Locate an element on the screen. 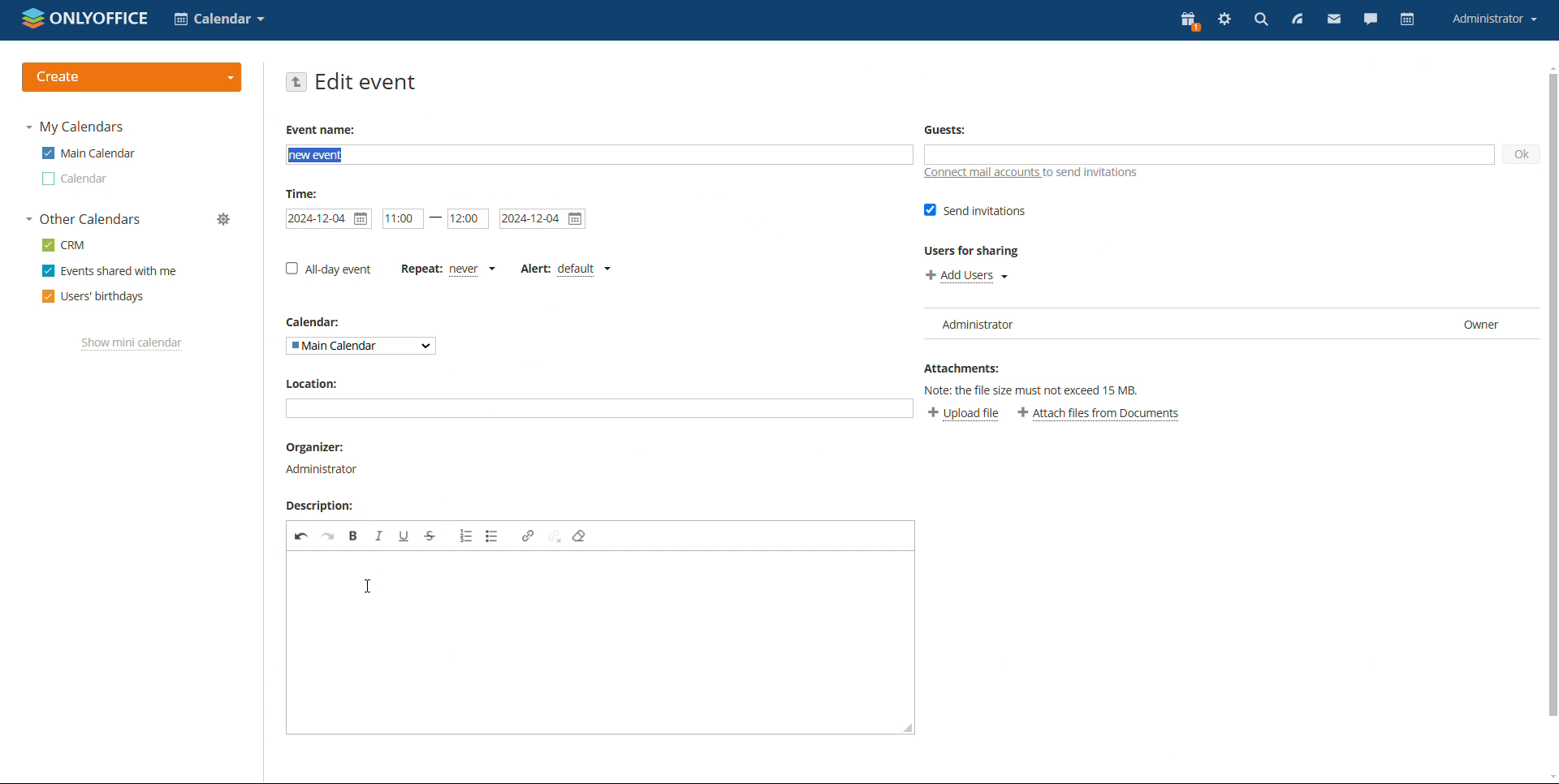 The height and width of the screenshot is (784, 1559). attach file from documents is located at coordinates (1100, 415).